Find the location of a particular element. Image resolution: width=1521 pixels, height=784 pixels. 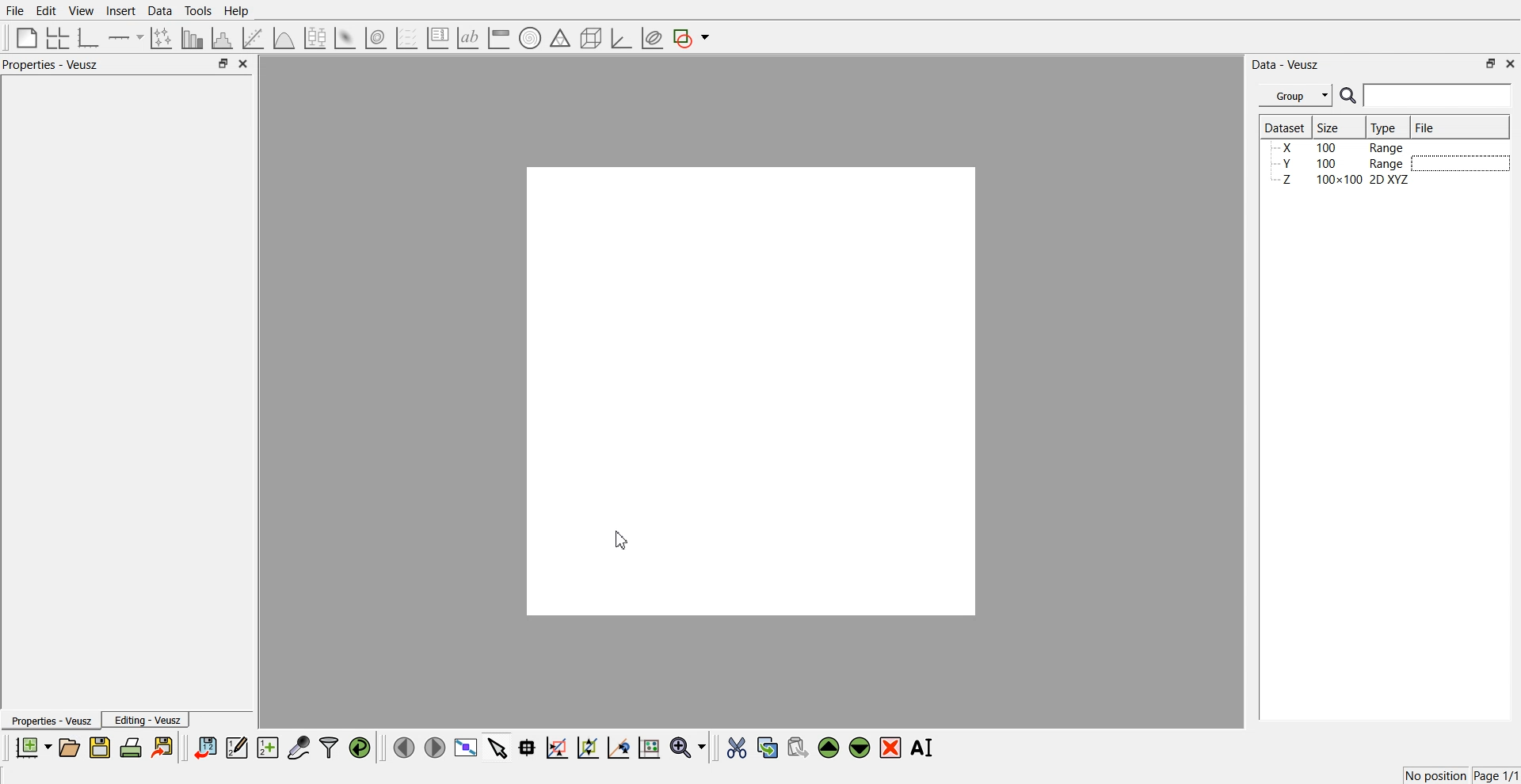

Base Graph is located at coordinates (89, 38).